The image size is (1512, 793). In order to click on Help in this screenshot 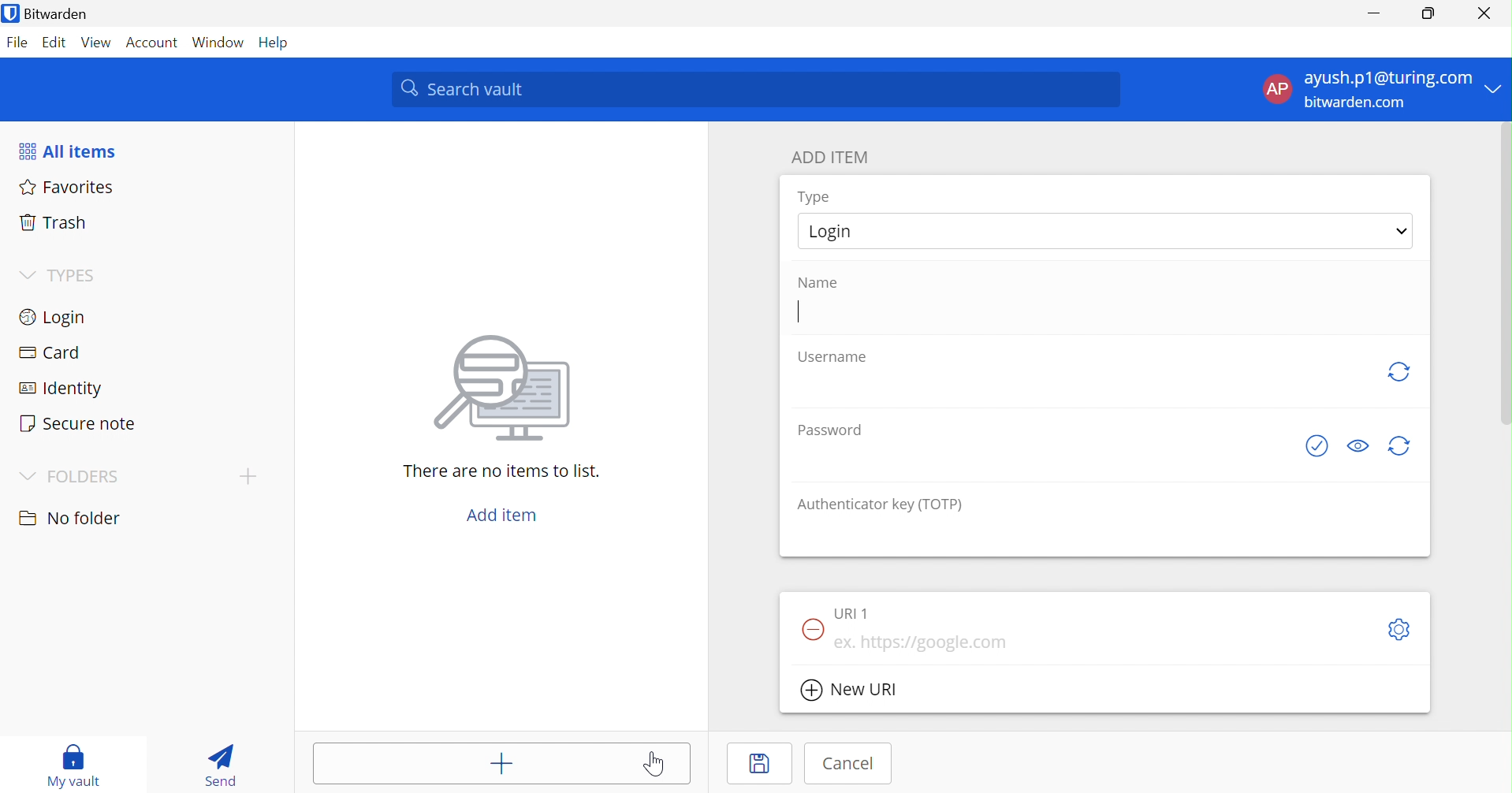, I will do `click(275, 43)`.